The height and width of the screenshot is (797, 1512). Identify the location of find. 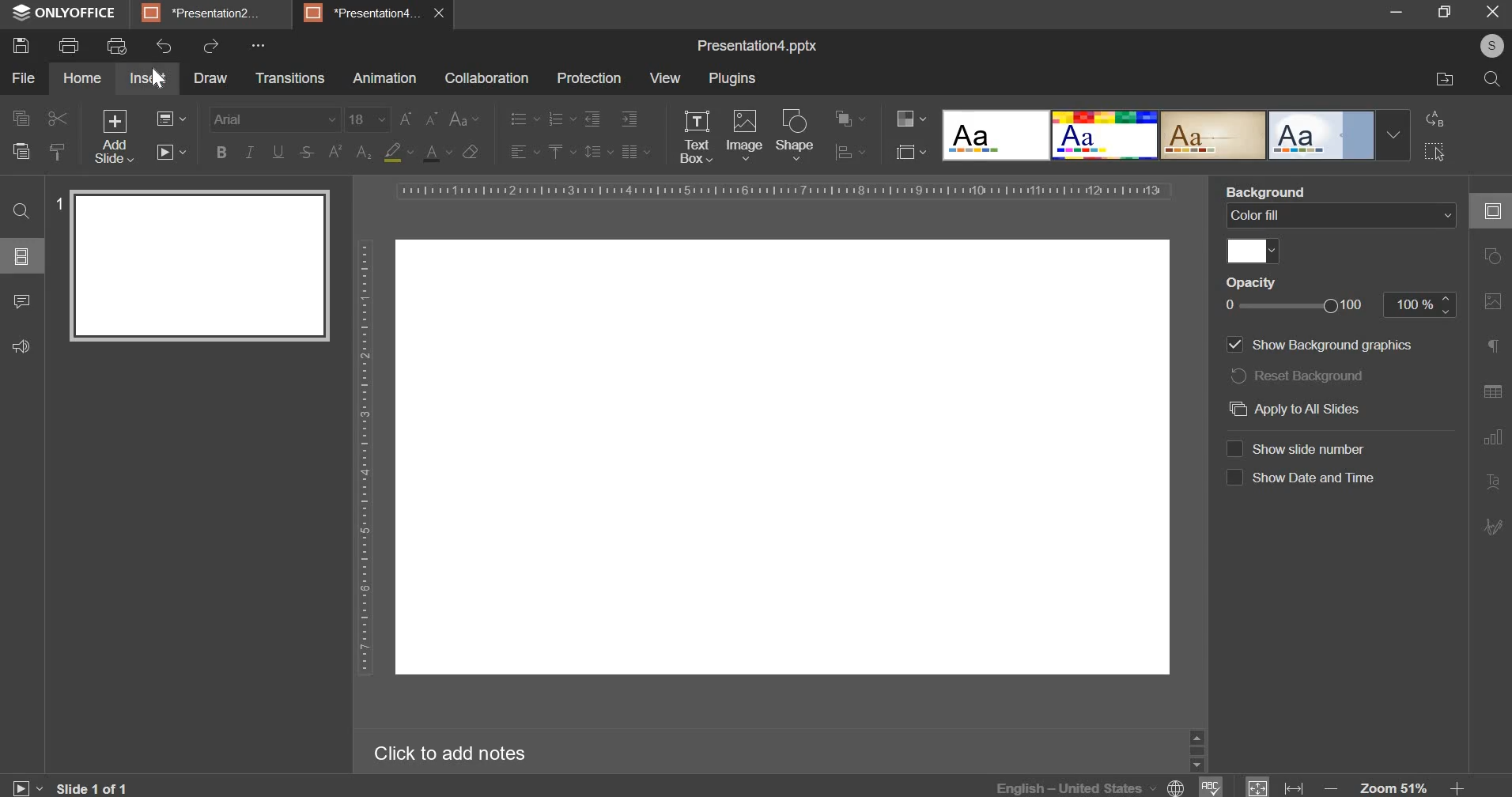
(1493, 79).